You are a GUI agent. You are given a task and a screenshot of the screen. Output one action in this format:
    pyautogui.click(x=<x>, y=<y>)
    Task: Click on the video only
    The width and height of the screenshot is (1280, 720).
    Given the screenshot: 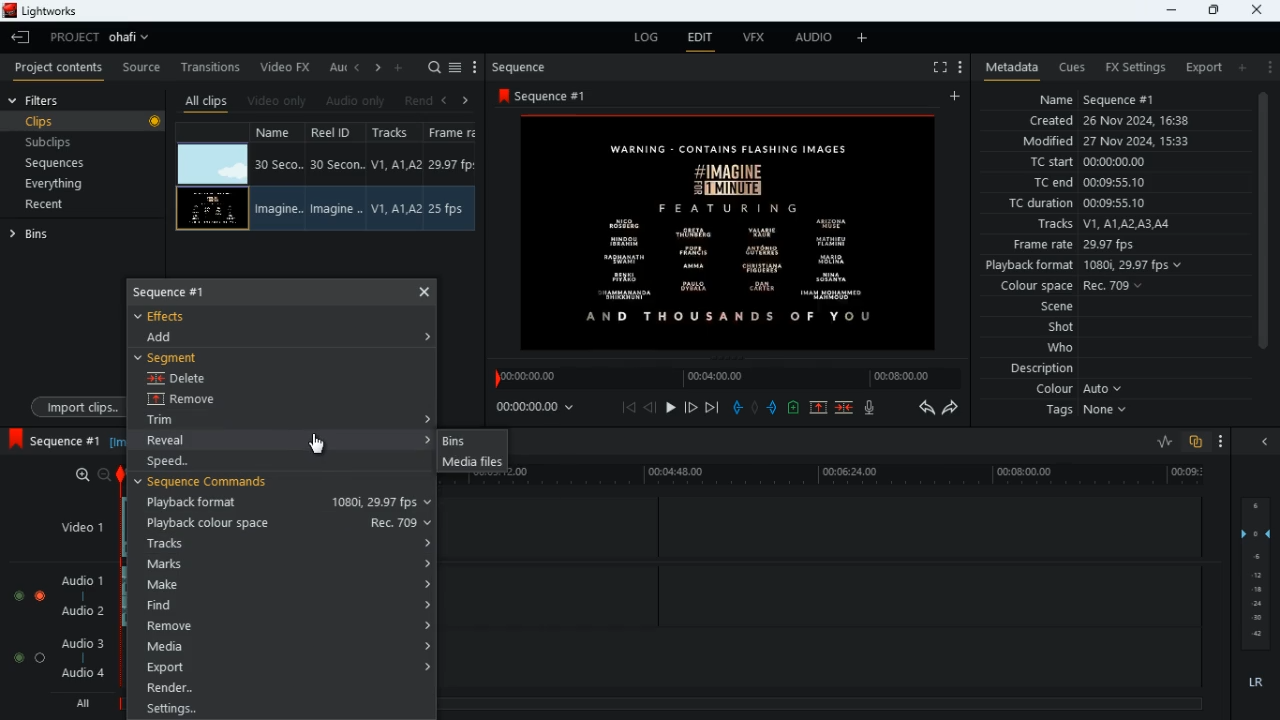 What is the action you would take?
    pyautogui.click(x=278, y=99)
    